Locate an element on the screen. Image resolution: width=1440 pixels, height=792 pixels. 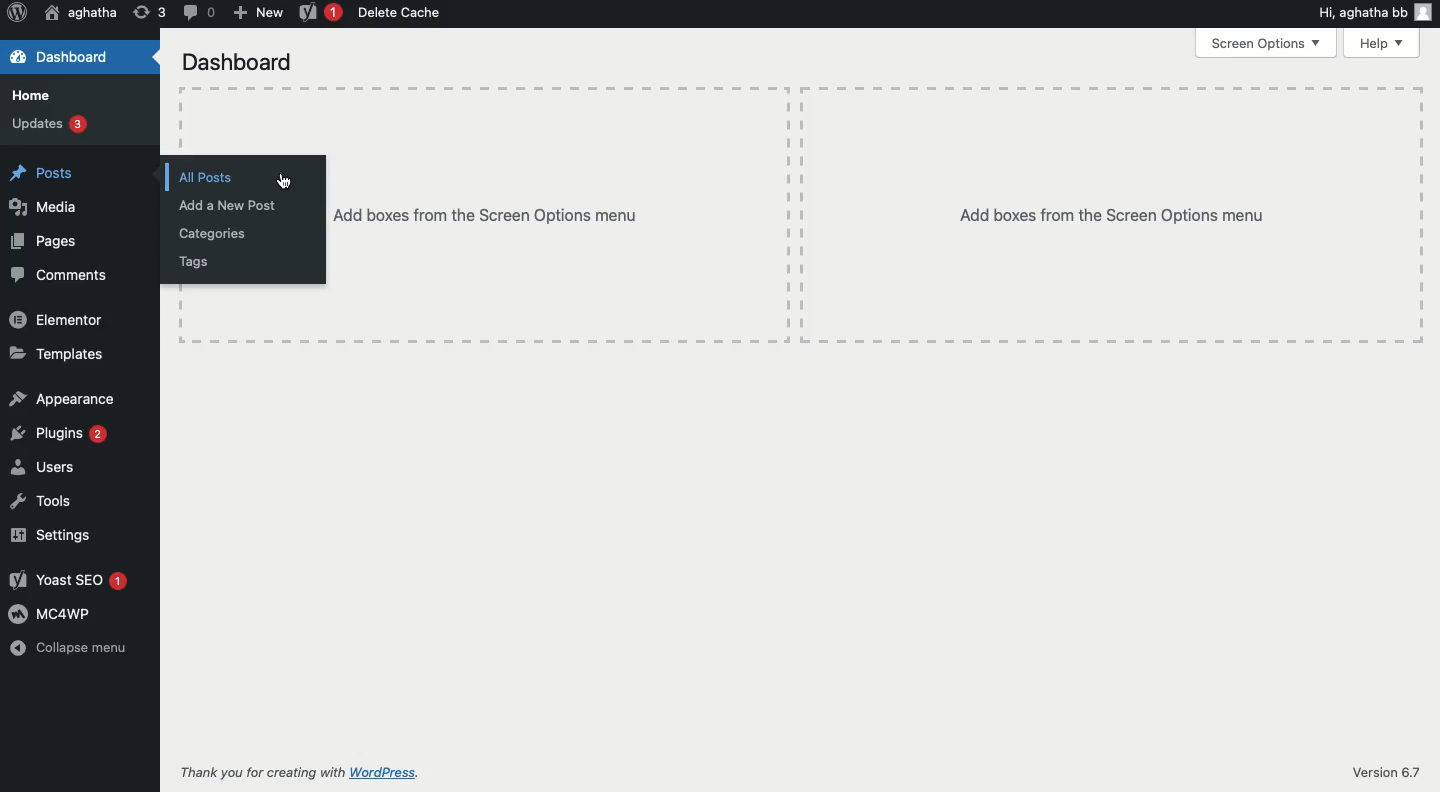
Version 6.7 is located at coordinates (1387, 773).